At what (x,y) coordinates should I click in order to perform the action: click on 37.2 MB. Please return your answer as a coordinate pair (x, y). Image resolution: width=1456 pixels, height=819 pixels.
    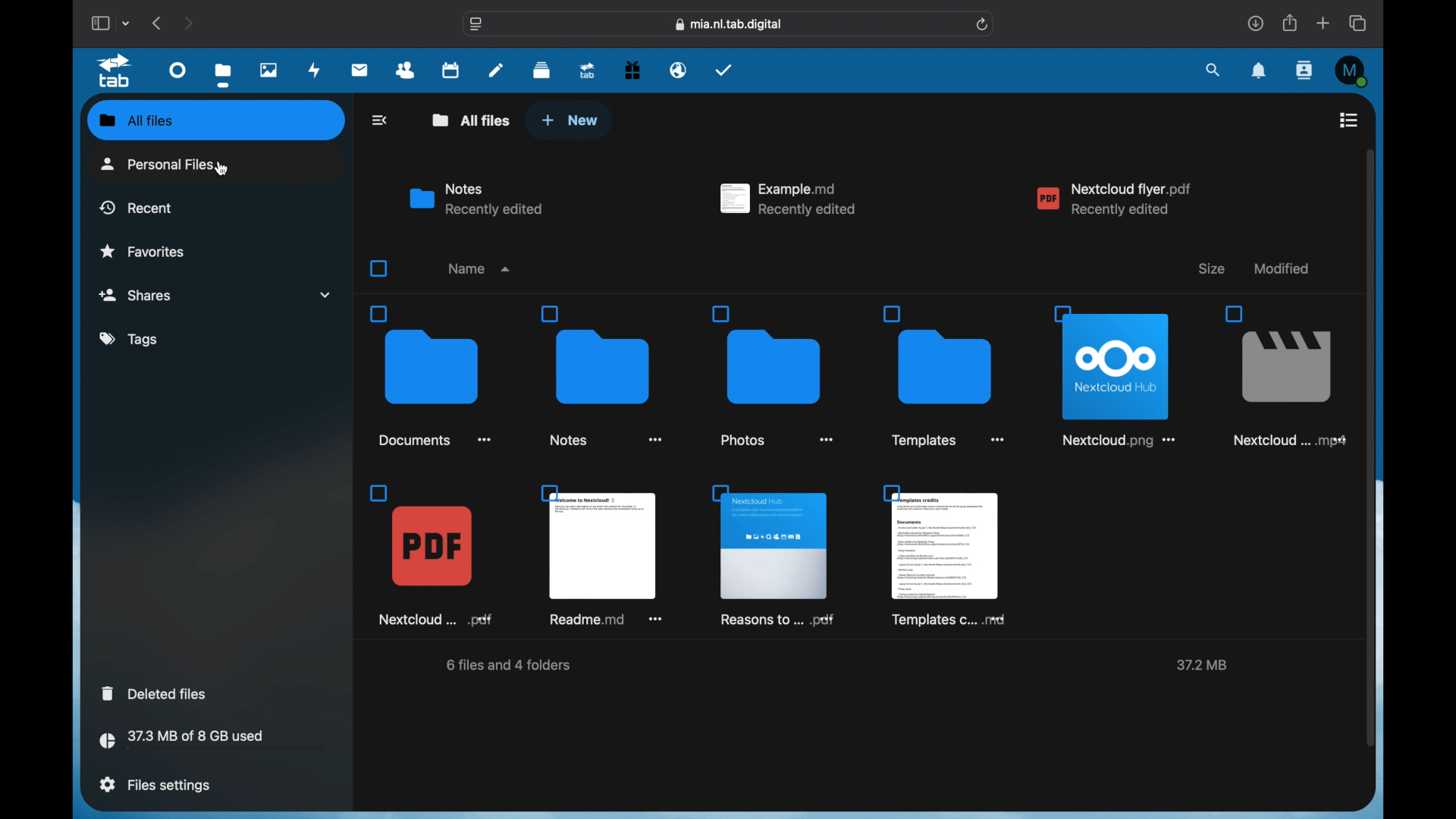
    Looking at the image, I should click on (1201, 665).